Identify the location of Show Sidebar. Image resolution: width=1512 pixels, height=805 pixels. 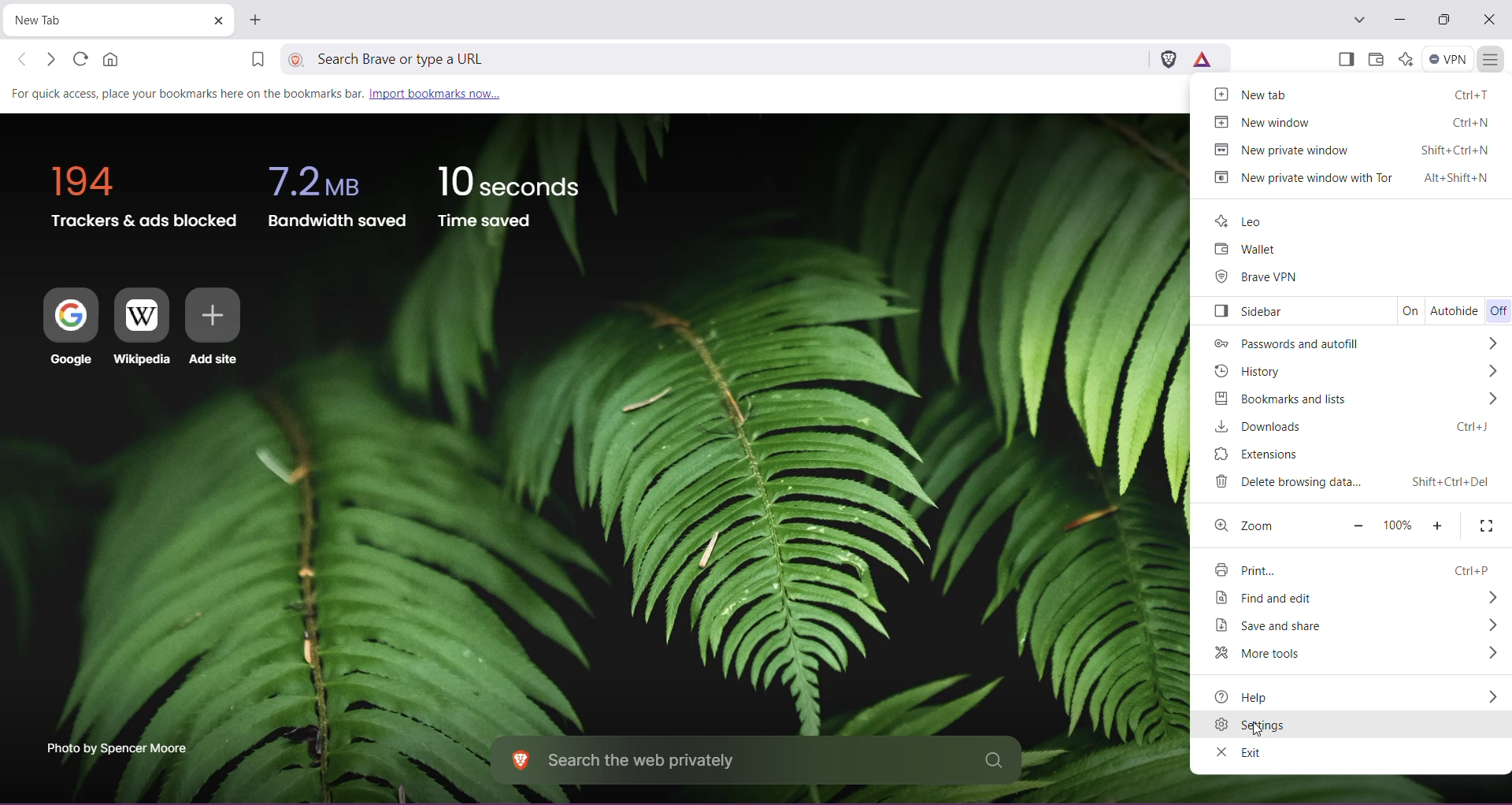
(1344, 61).